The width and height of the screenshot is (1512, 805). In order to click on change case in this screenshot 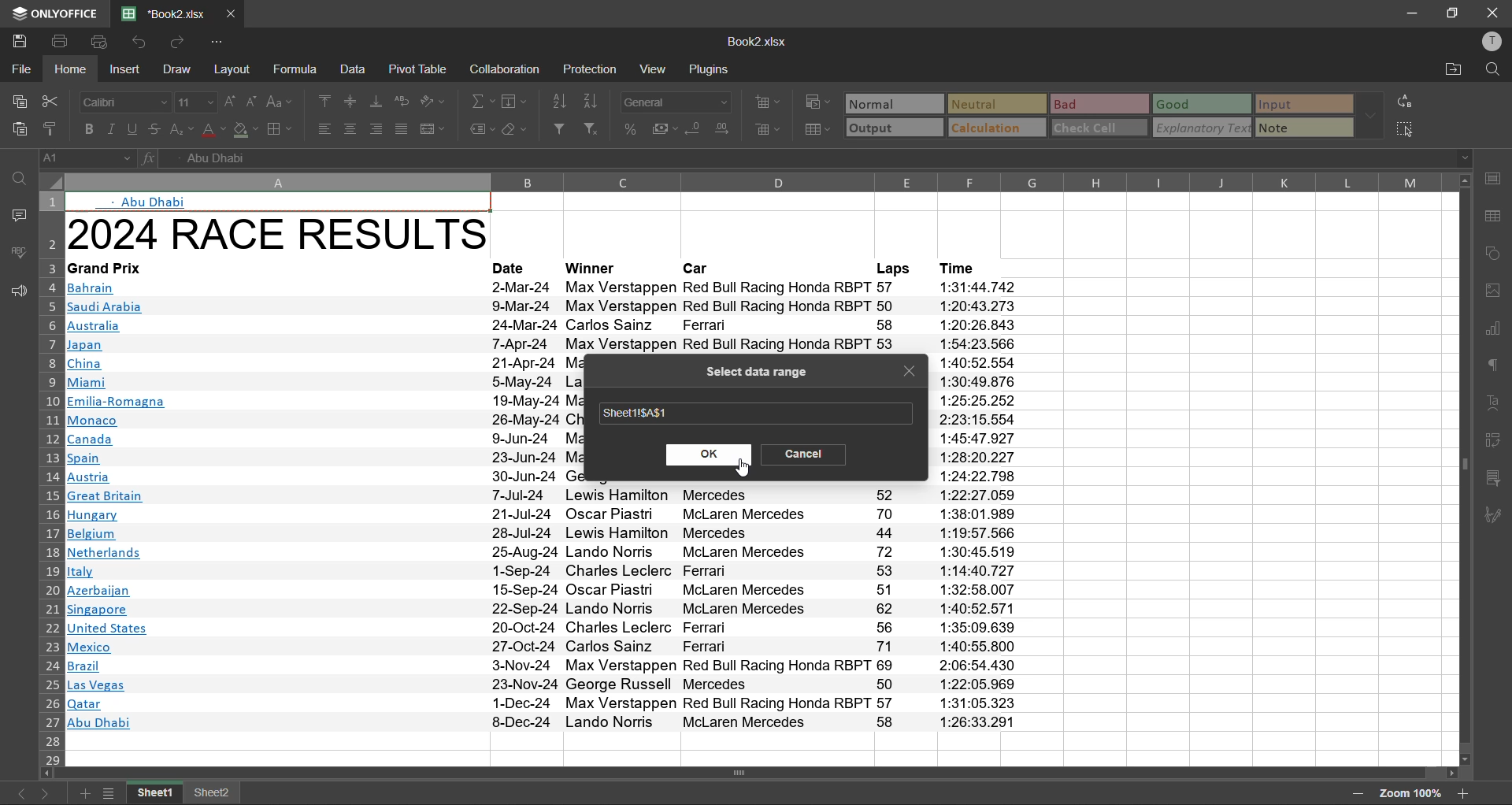, I will do `click(280, 102)`.